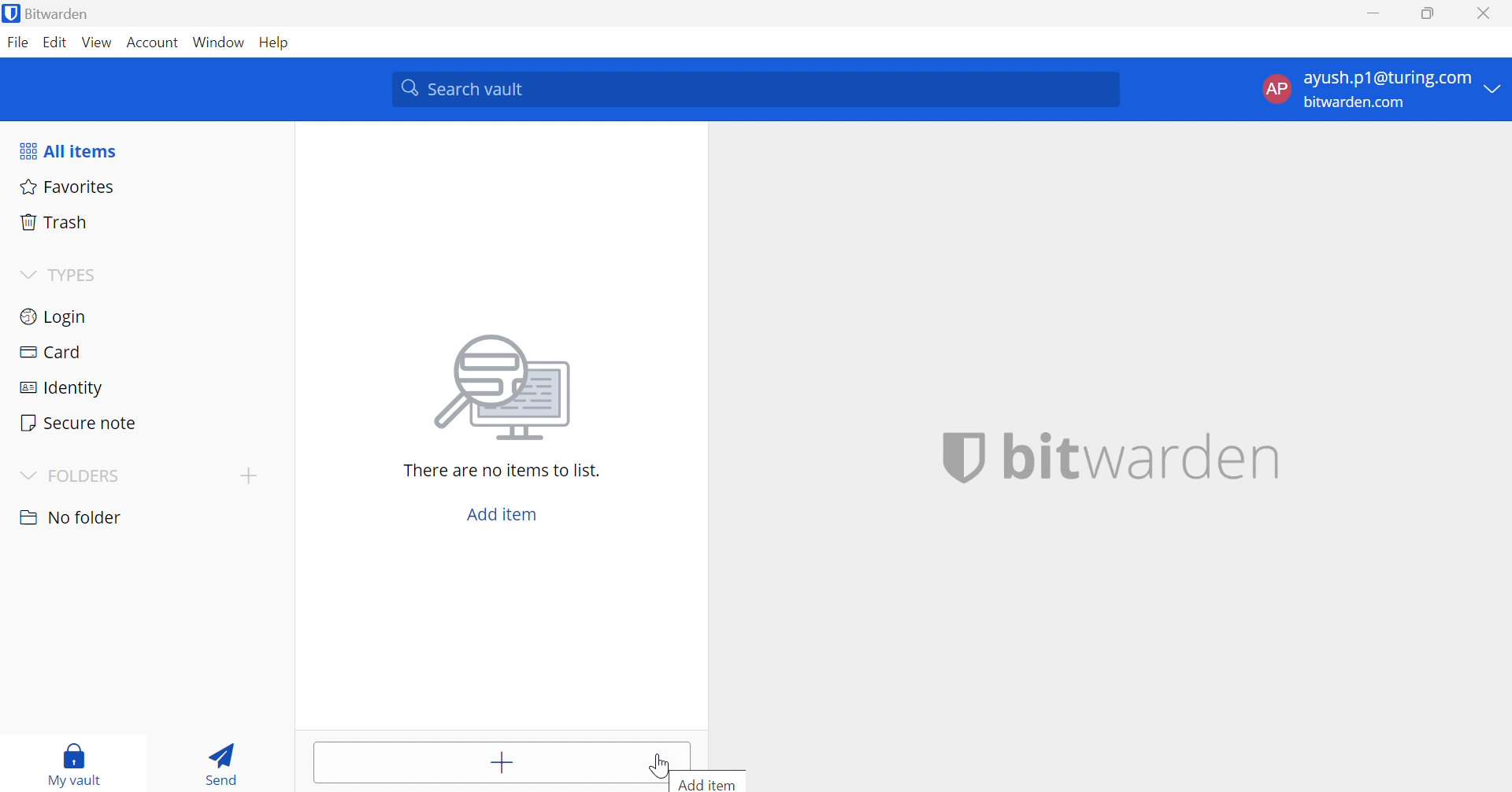 The height and width of the screenshot is (792, 1512). Describe the element at coordinates (502, 387) in the screenshot. I see `image` at that location.